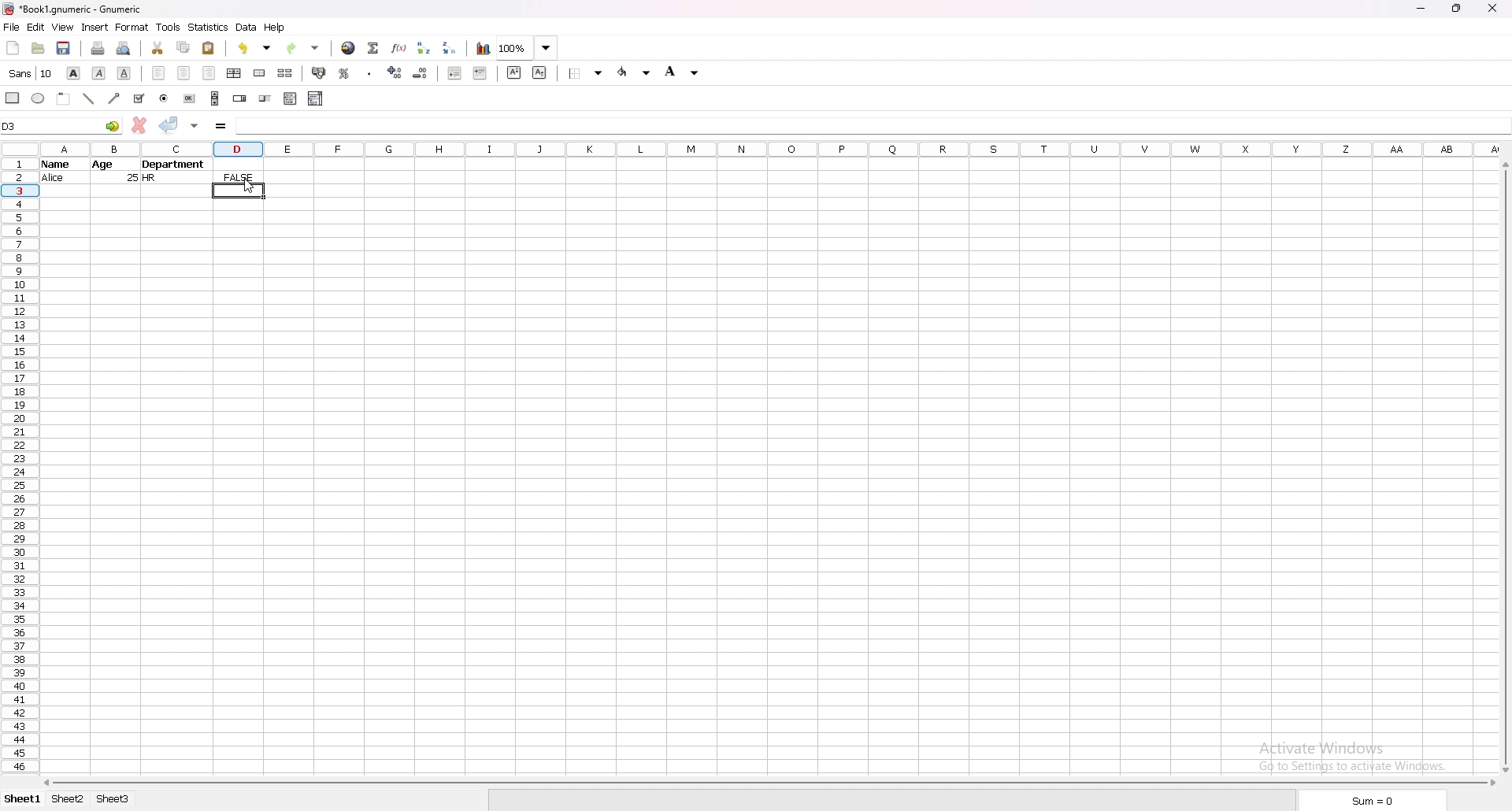 The height and width of the screenshot is (811, 1512). Describe the element at coordinates (870, 127) in the screenshot. I see `selected cell` at that location.